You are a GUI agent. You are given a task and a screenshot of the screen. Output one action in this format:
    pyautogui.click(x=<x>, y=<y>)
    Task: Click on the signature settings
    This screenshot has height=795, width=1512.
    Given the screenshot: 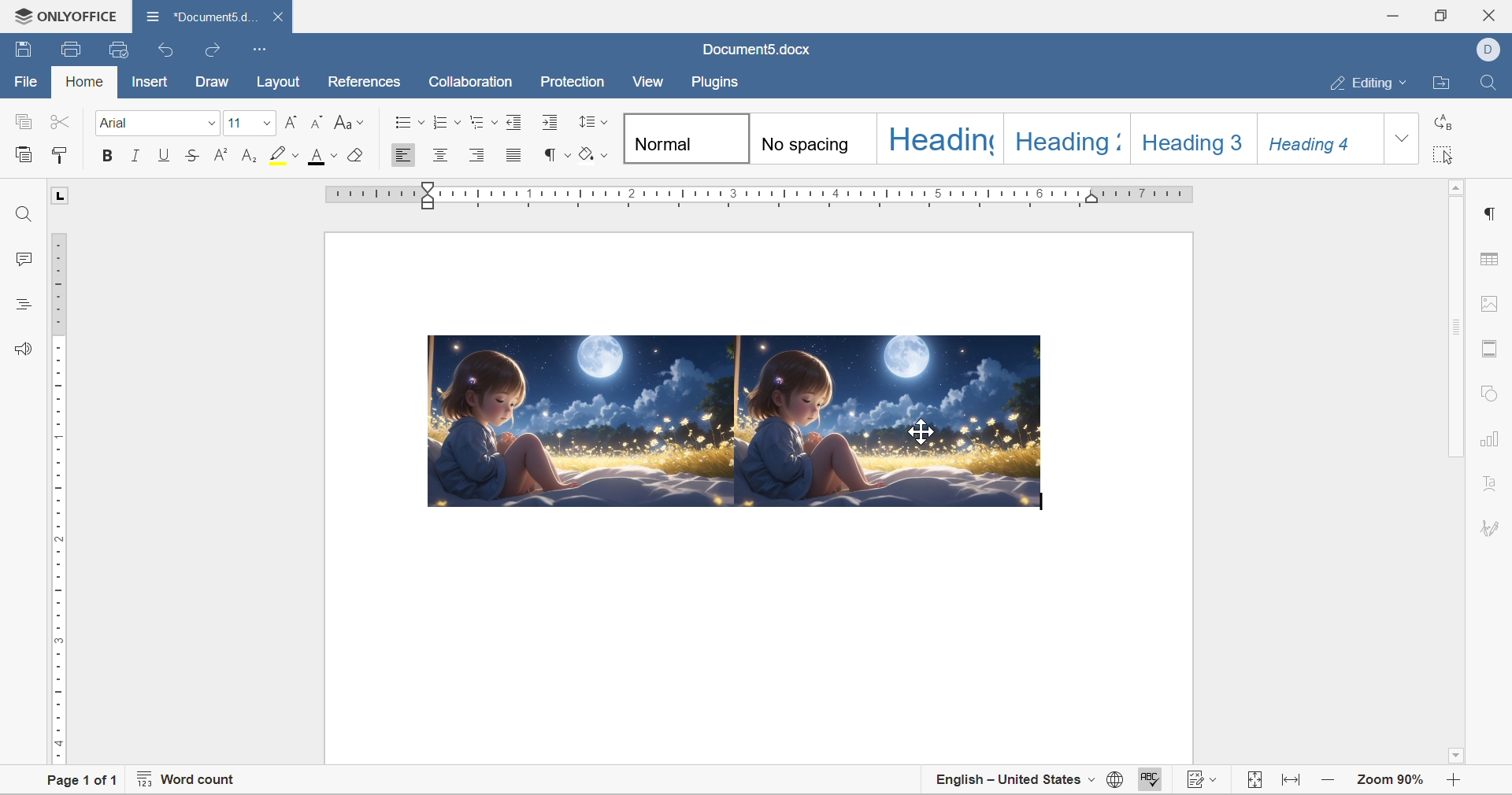 What is the action you would take?
    pyautogui.click(x=1493, y=527)
    